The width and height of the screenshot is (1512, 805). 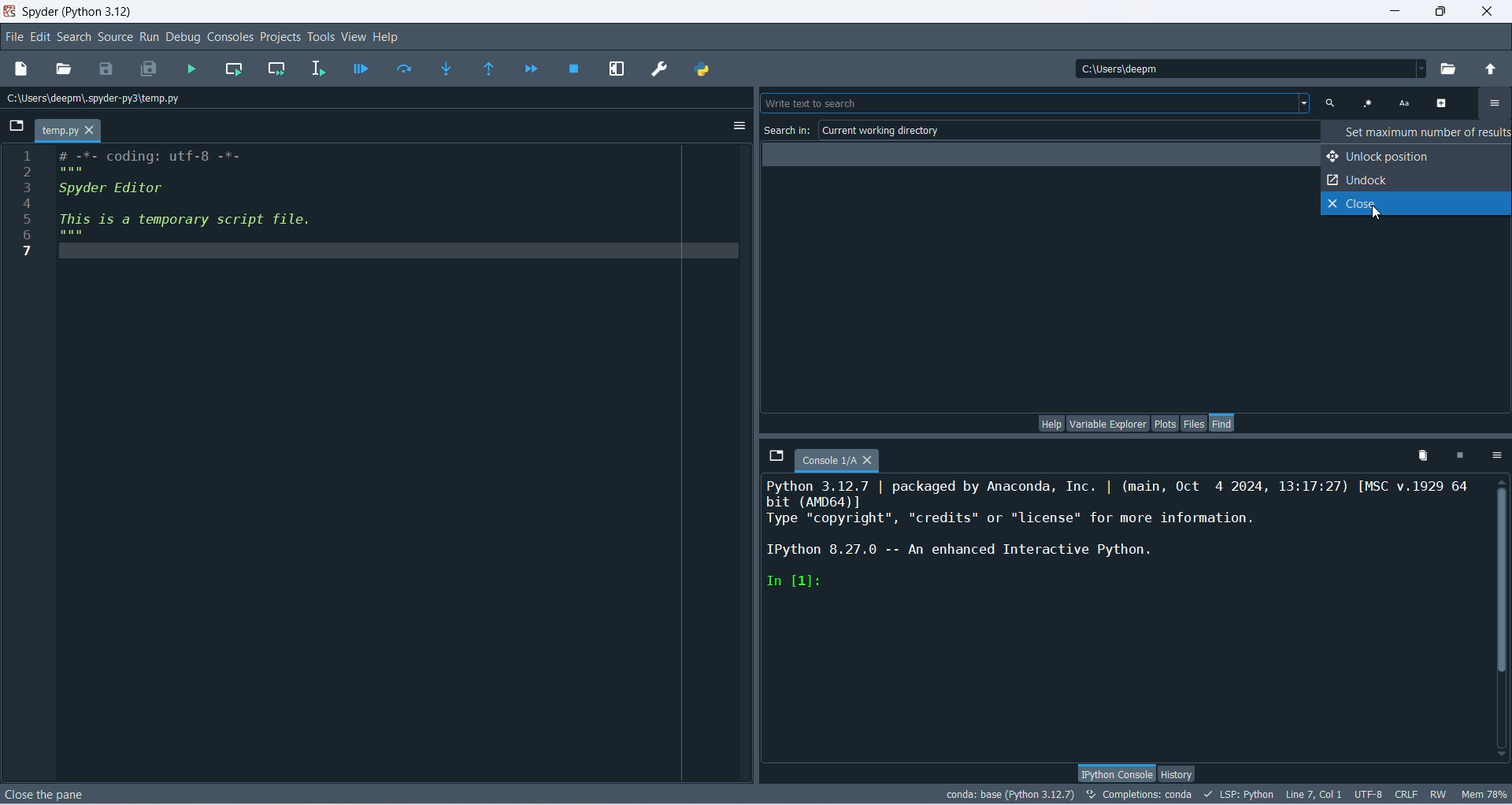 I want to click on Mem, so click(x=1483, y=793).